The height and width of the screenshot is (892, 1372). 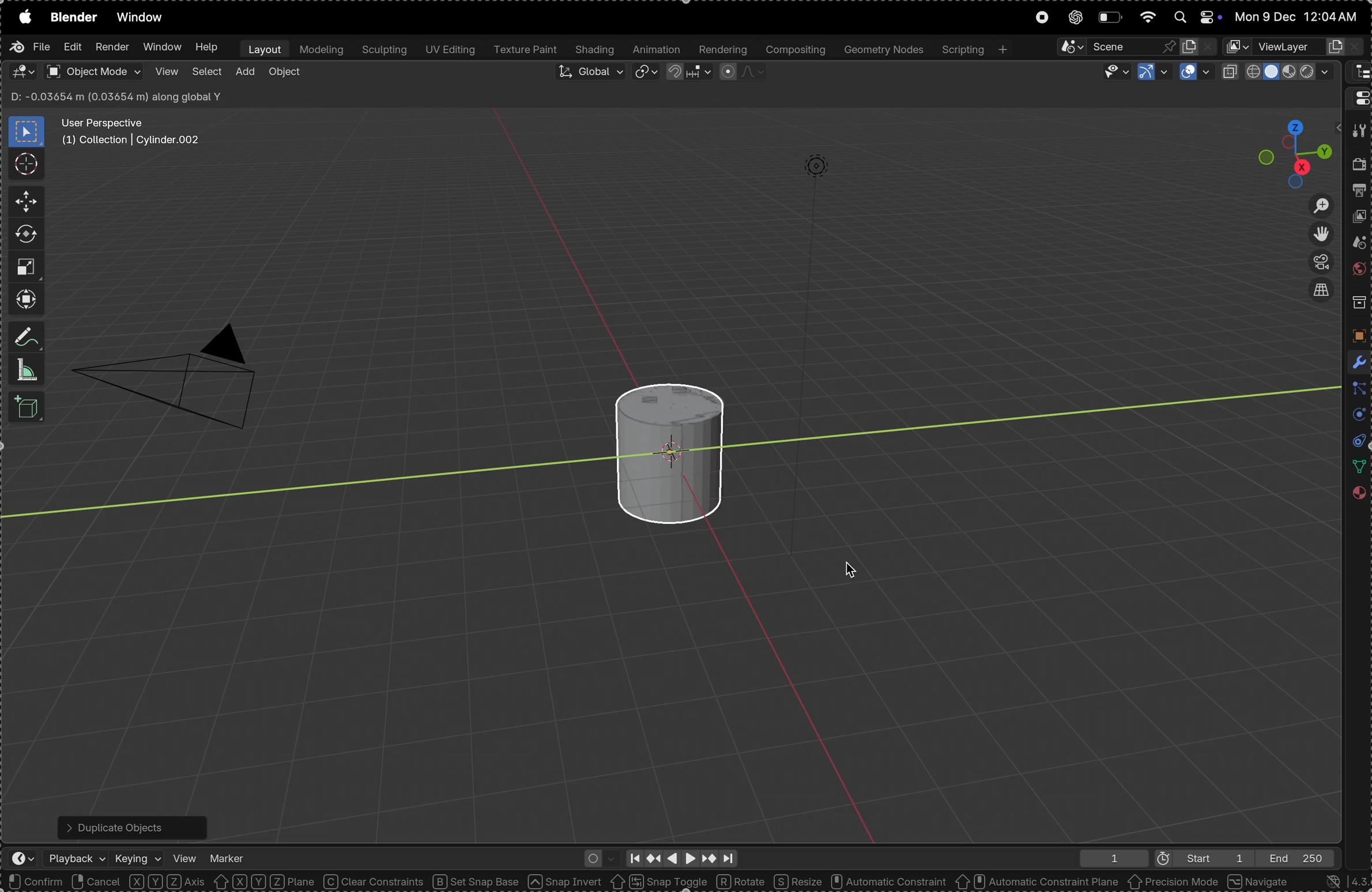 What do you see at coordinates (1174, 883) in the screenshot?
I see `precision mode` at bounding box center [1174, 883].